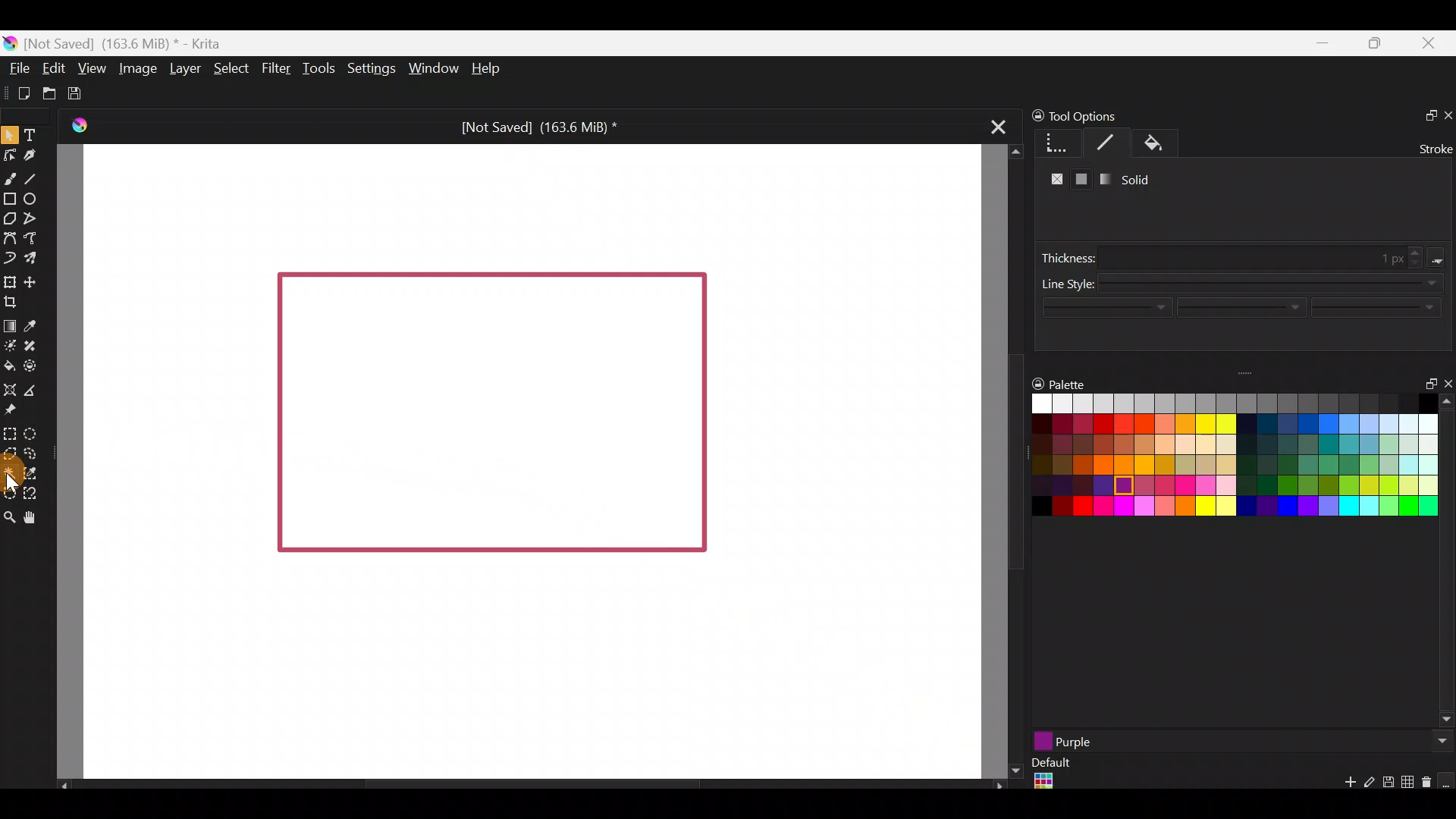  I want to click on Close, so click(1433, 45).